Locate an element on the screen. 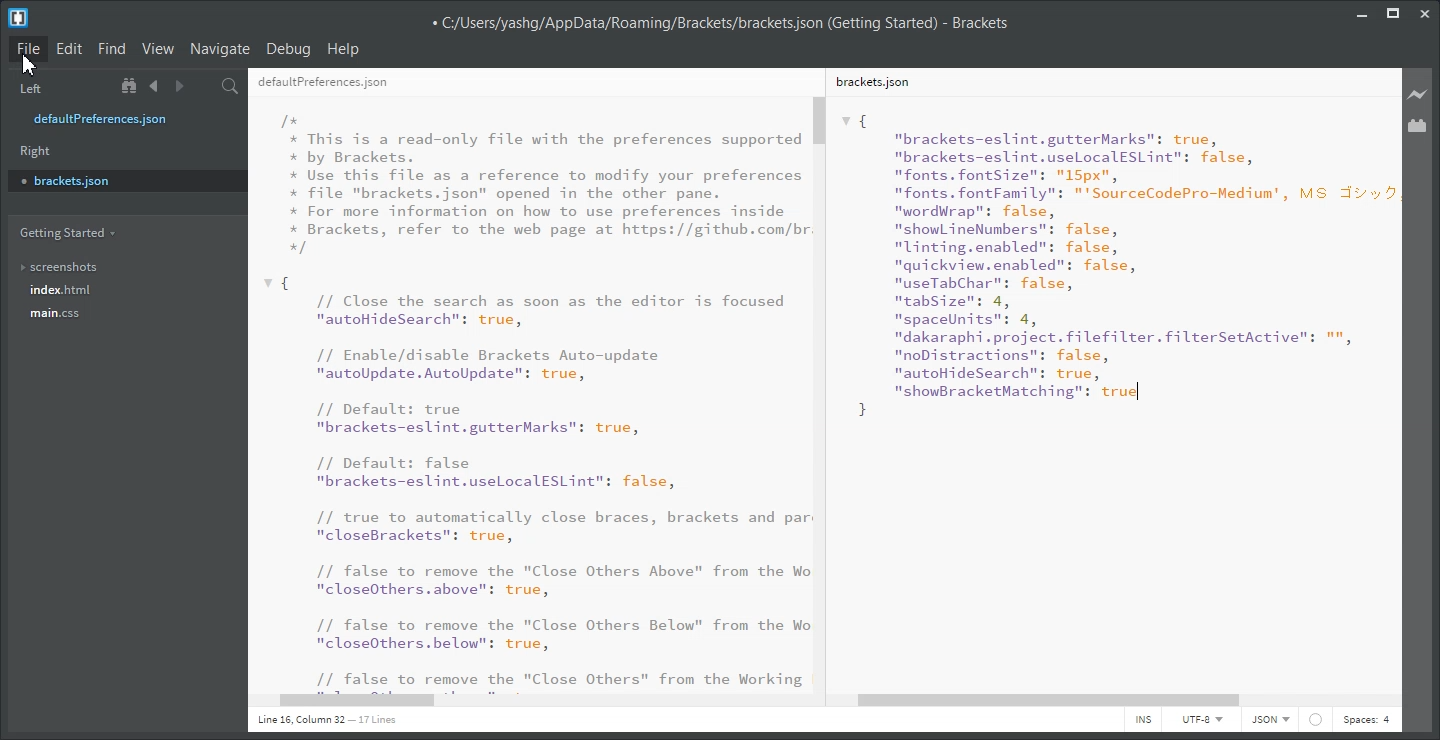 This screenshot has height=740, width=1440. Icon is located at coordinates (1316, 720).